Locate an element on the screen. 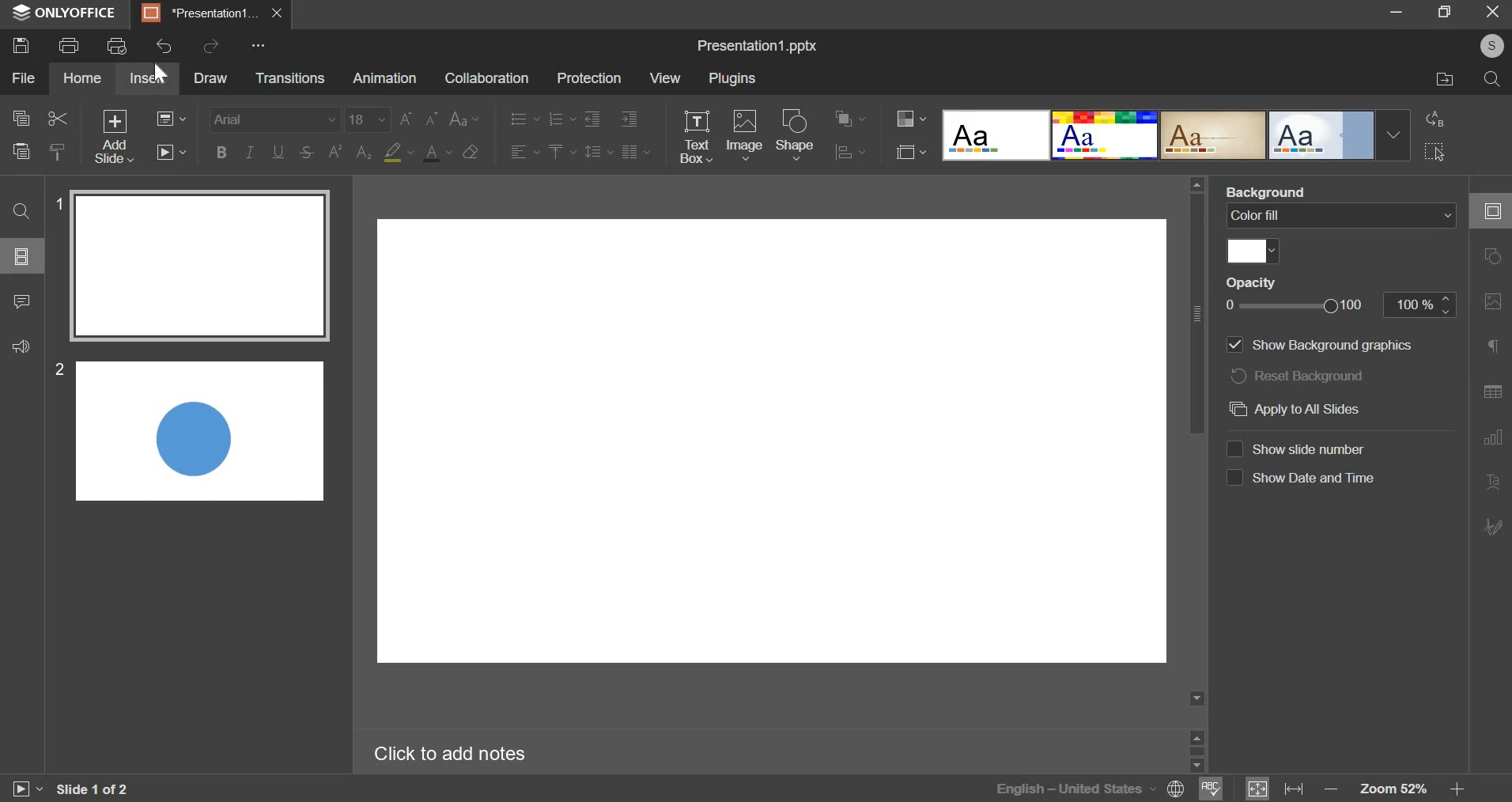  home is located at coordinates (85, 78).